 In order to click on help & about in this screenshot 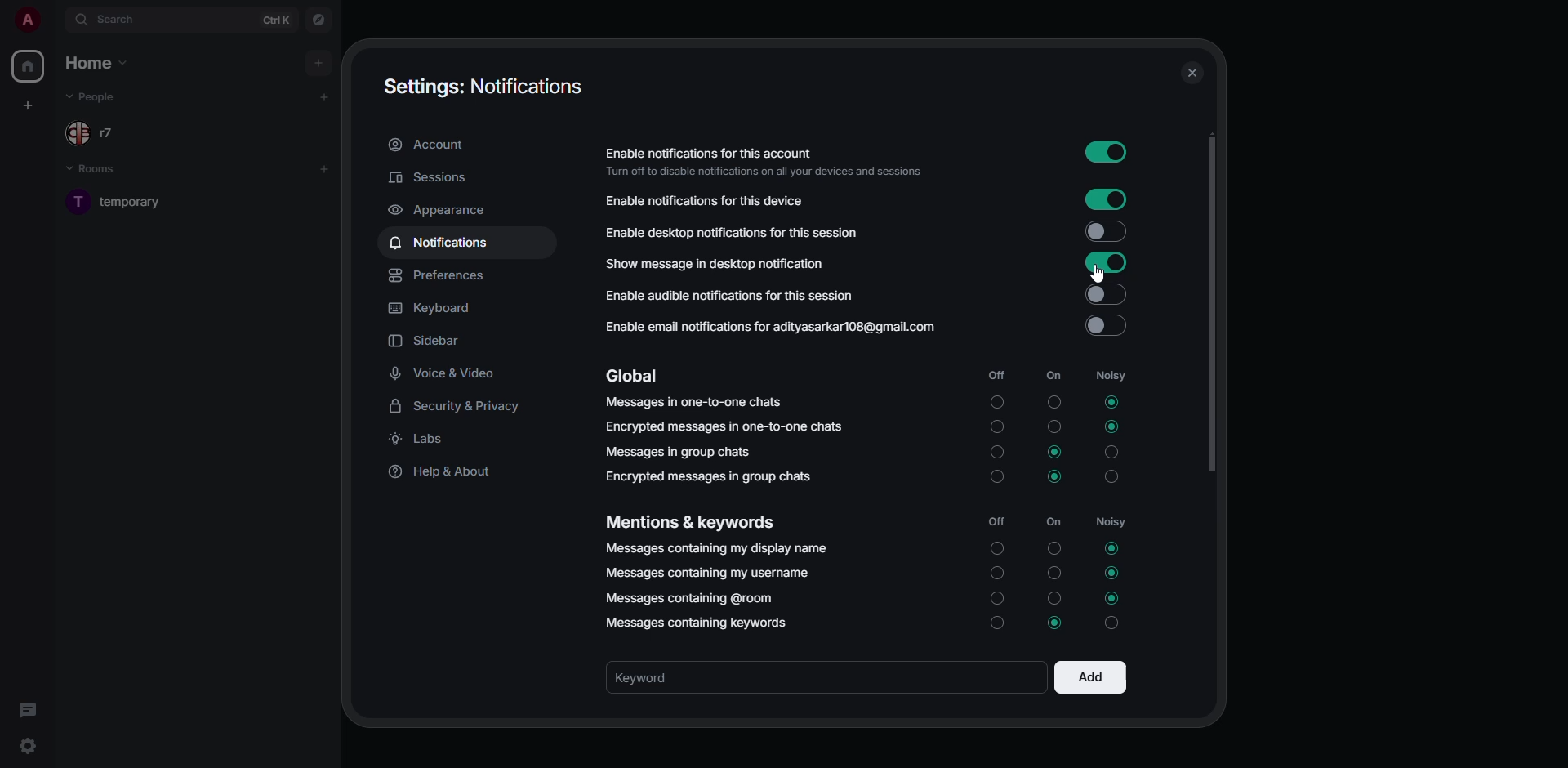, I will do `click(443, 473)`.